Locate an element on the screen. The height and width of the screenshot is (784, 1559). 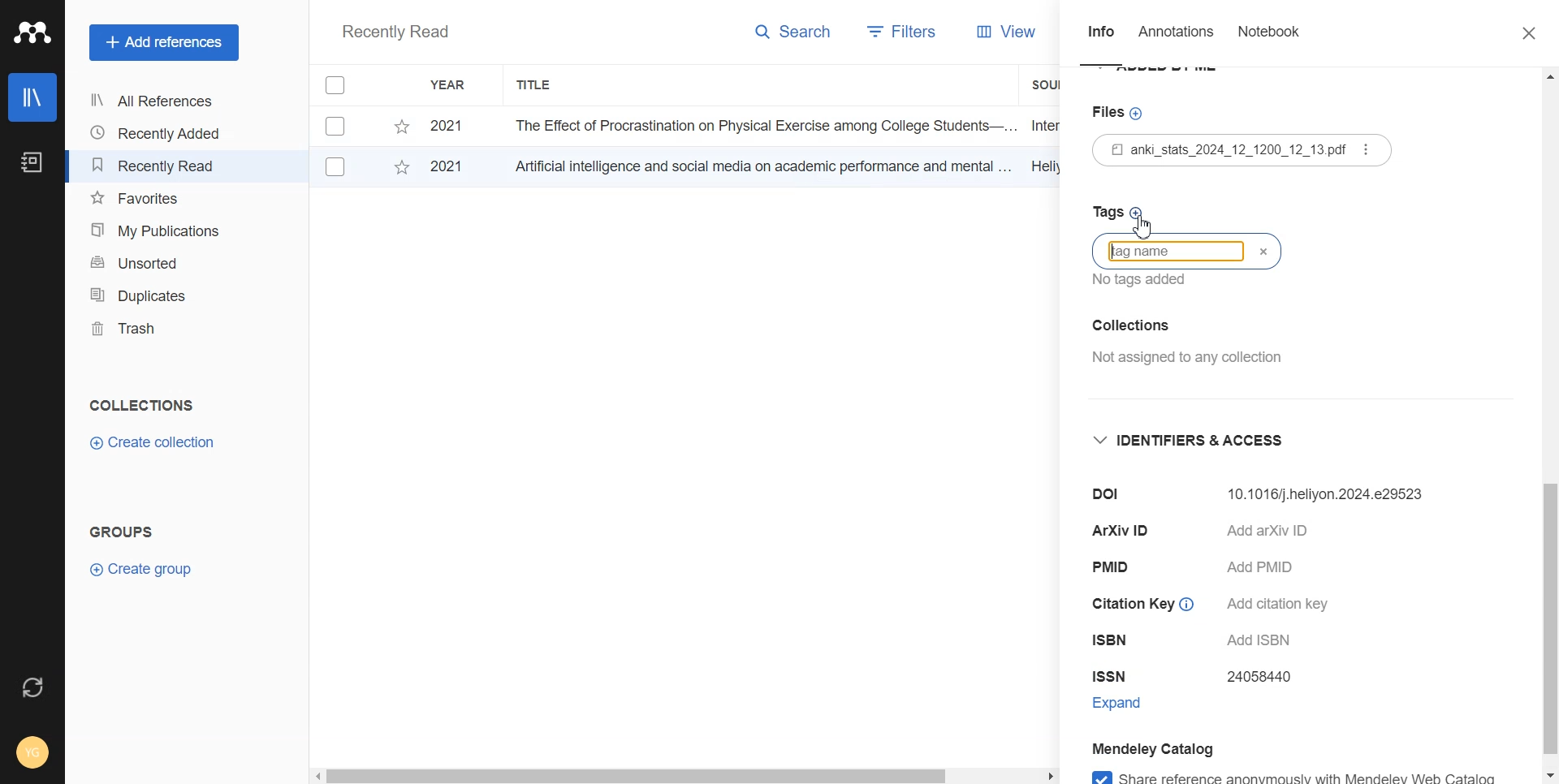
Annotations is located at coordinates (1178, 36).